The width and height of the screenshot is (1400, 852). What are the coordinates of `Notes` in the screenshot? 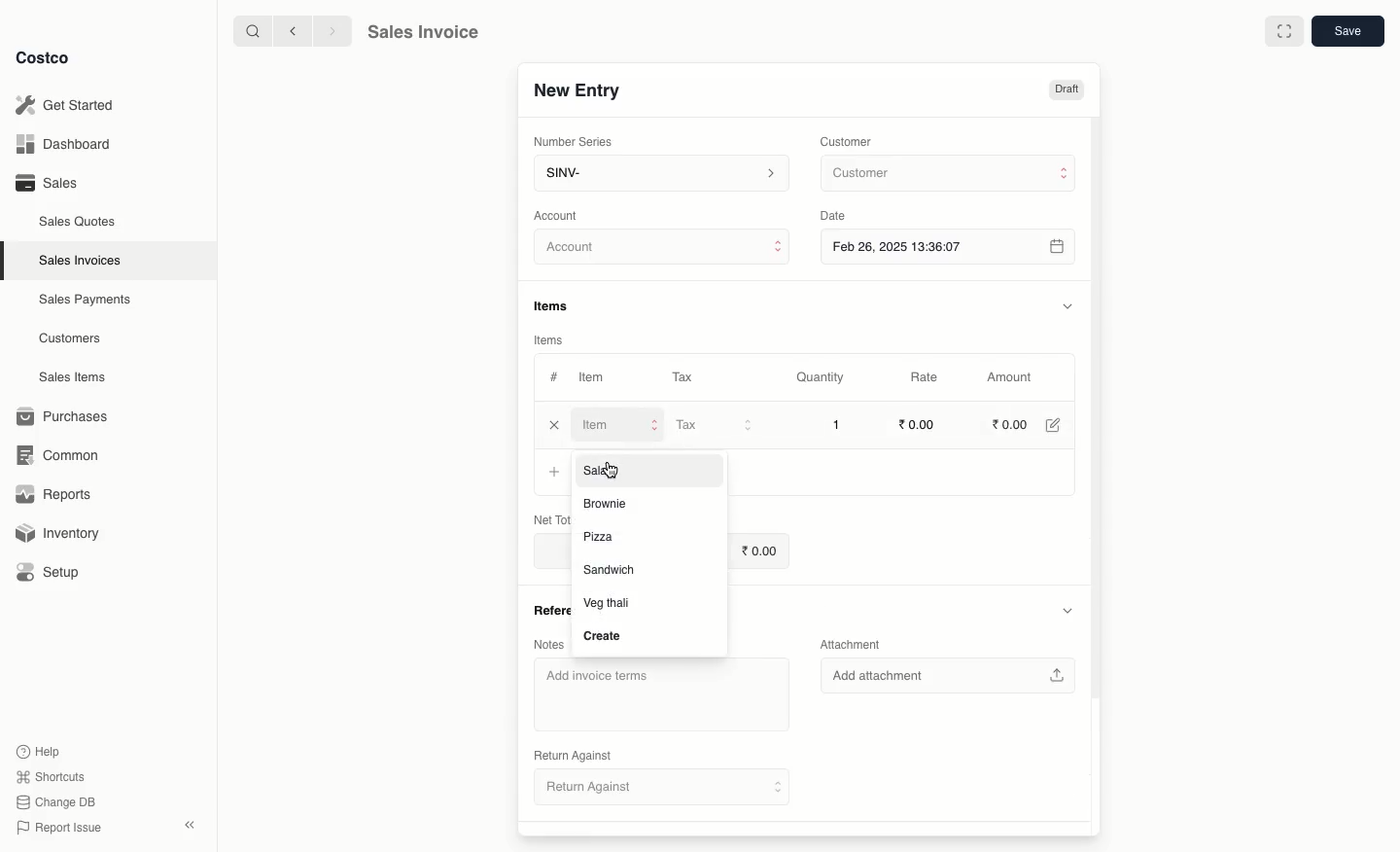 It's located at (547, 645).